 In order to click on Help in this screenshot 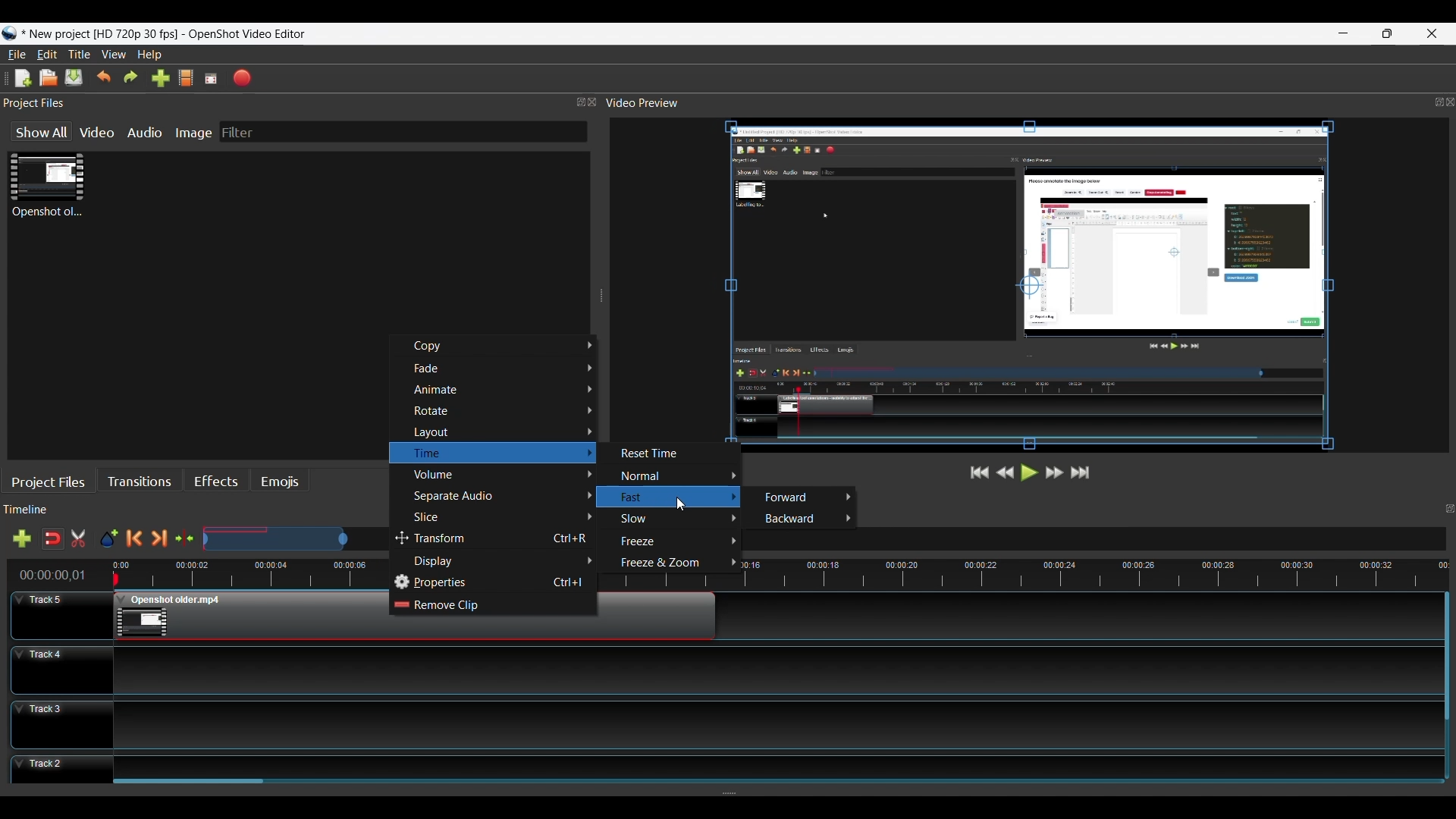, I will do `click(149, 55)`.